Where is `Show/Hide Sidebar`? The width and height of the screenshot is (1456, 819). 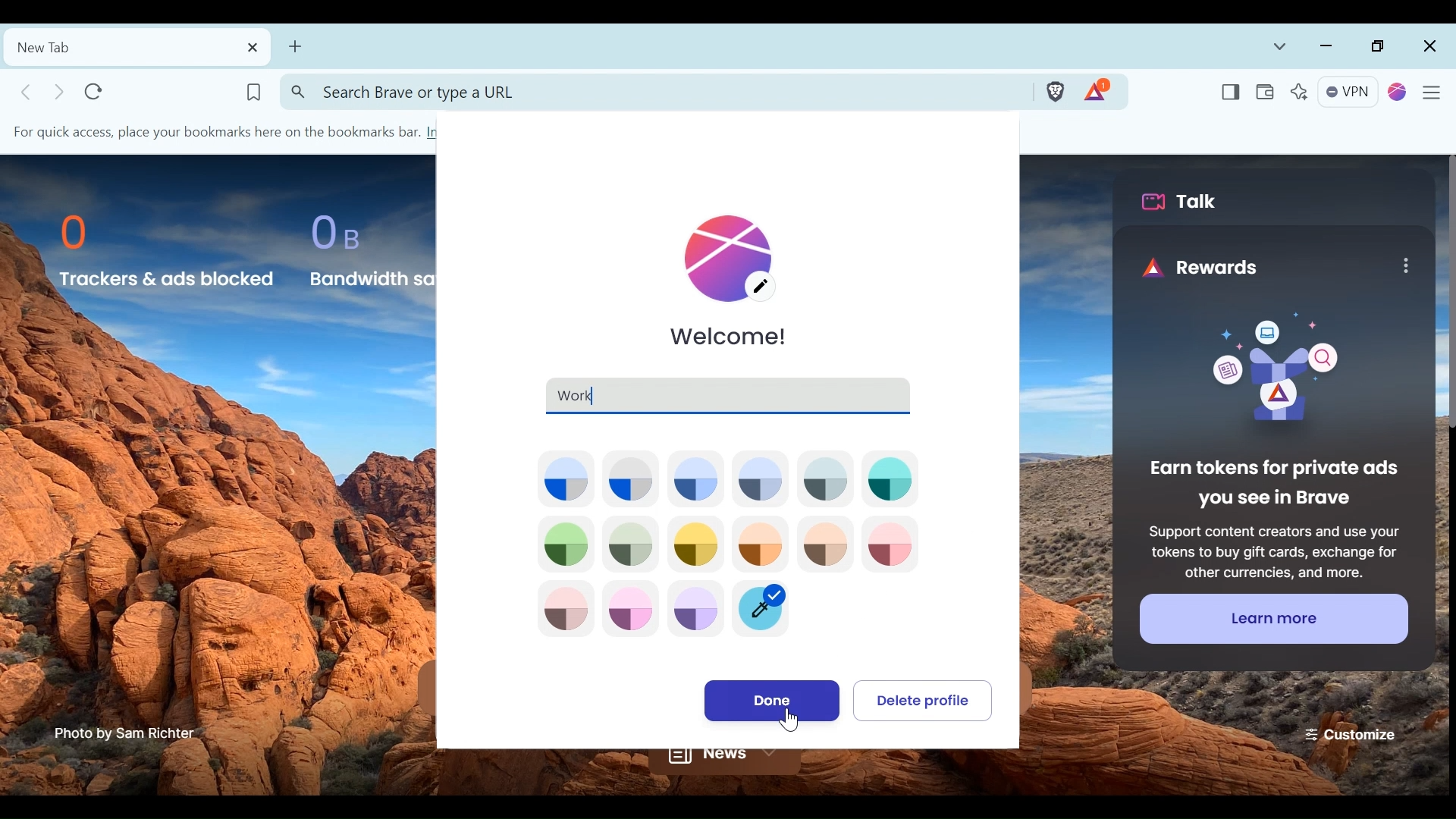
Show/Hide Sidebar is located at coordinates (1230, 93).